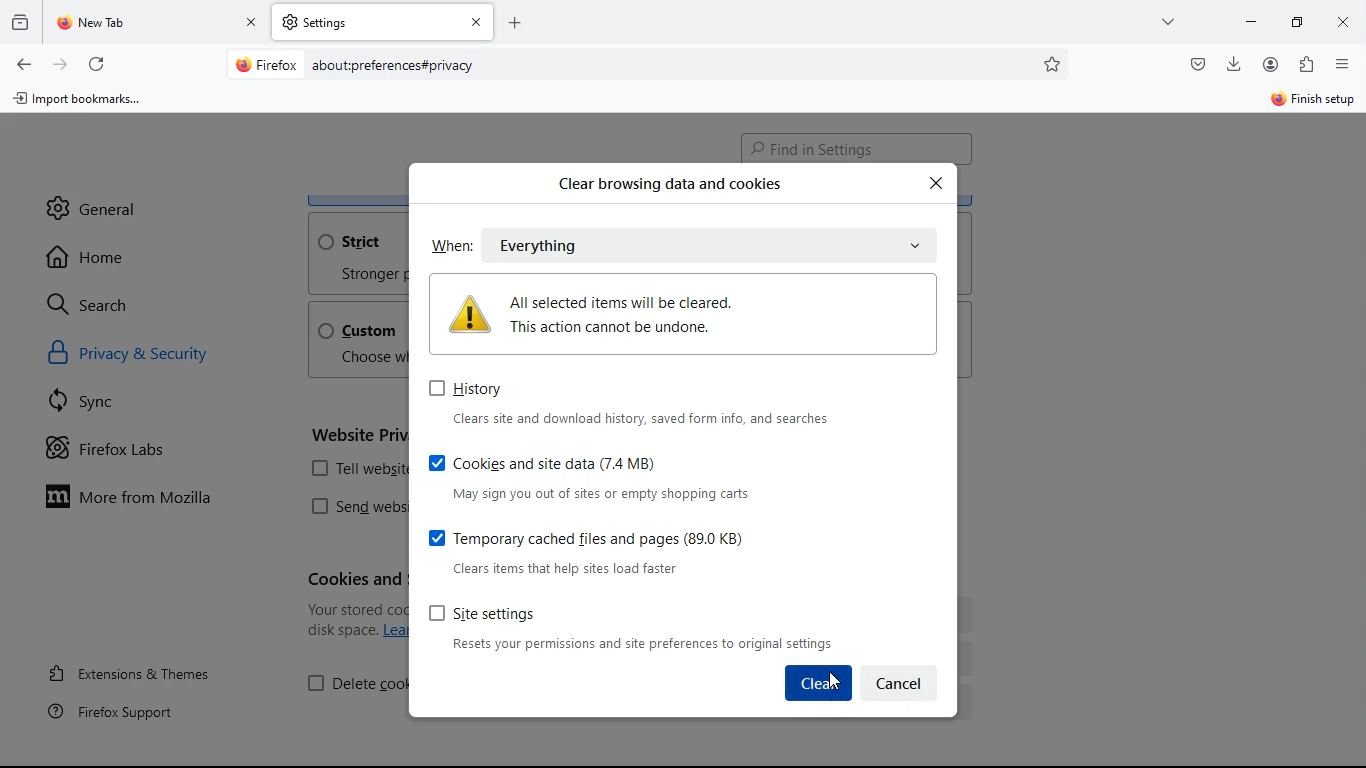 The height and width of the screenshot is (768, 1366). I want to click on cancel, so click(900, 682).